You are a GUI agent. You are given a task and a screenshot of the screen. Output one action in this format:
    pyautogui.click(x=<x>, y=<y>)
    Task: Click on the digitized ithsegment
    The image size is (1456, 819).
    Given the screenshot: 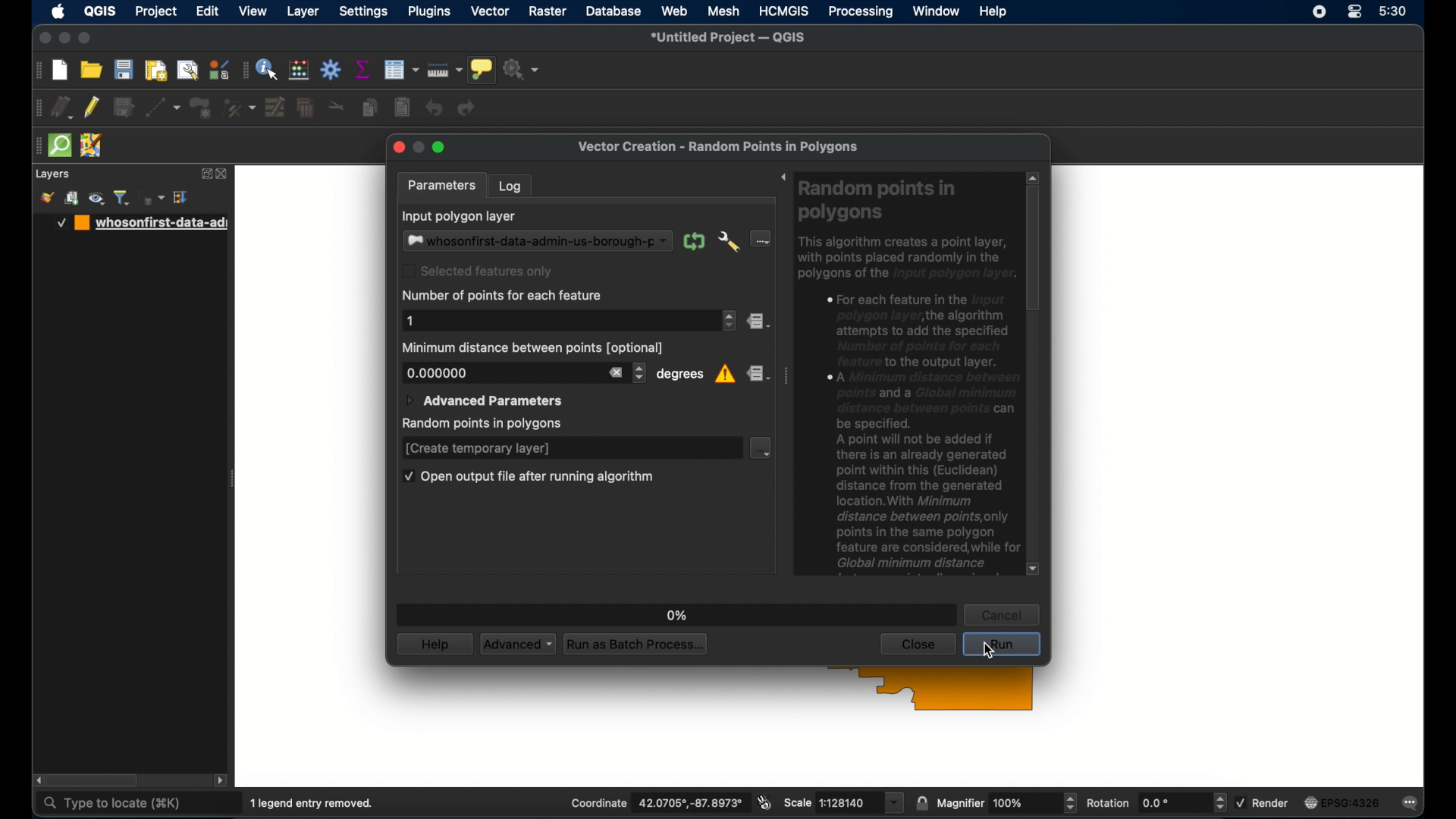 What is the action you would take?
    pyautogui.click(x=162, y=107)
    